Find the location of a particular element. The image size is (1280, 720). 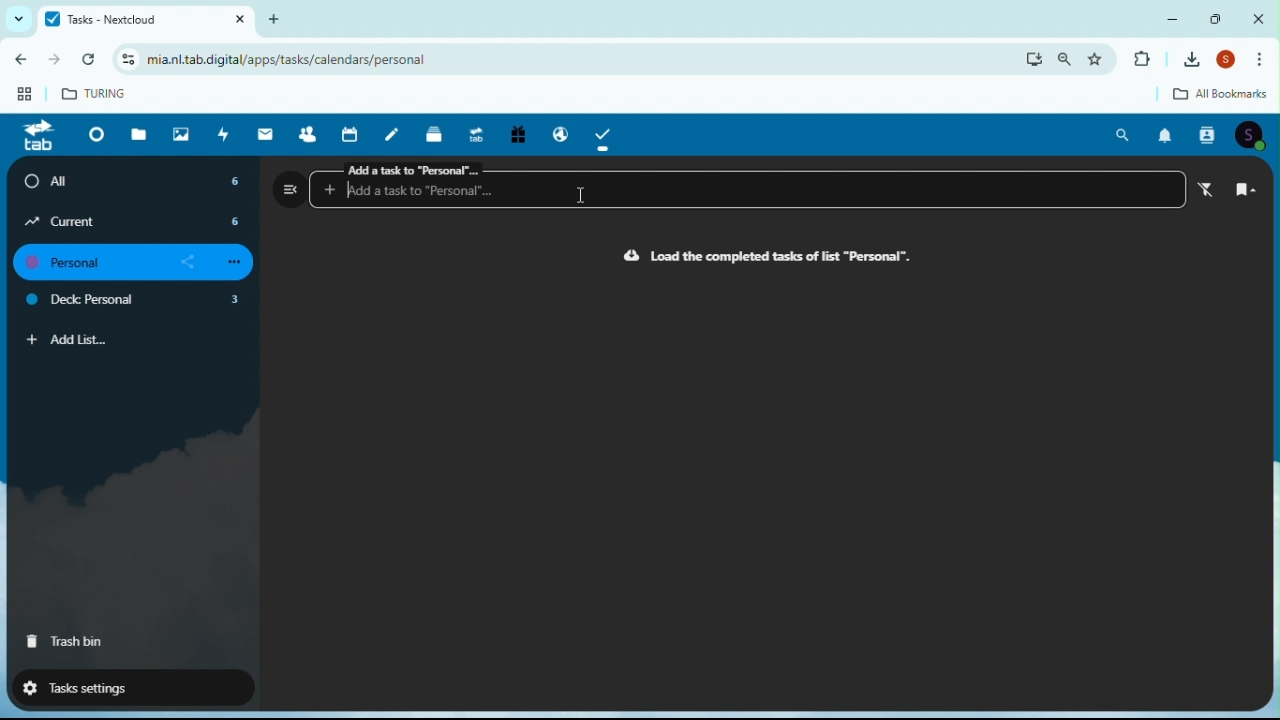

Dashboard is located at coordinates (93, 134).